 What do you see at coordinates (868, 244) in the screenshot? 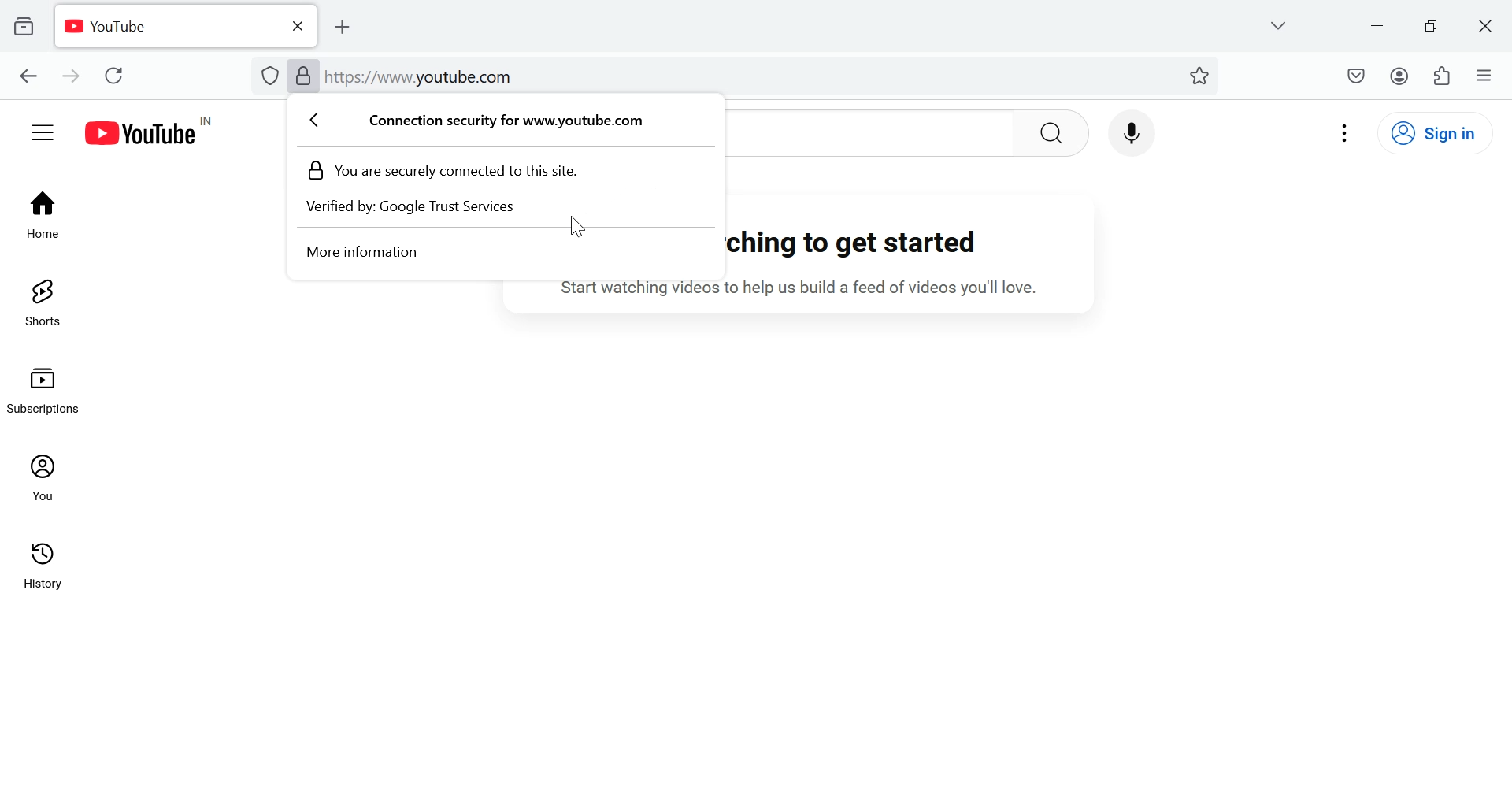
I see `Try searching to get started.` at bounding box center [868, 244].